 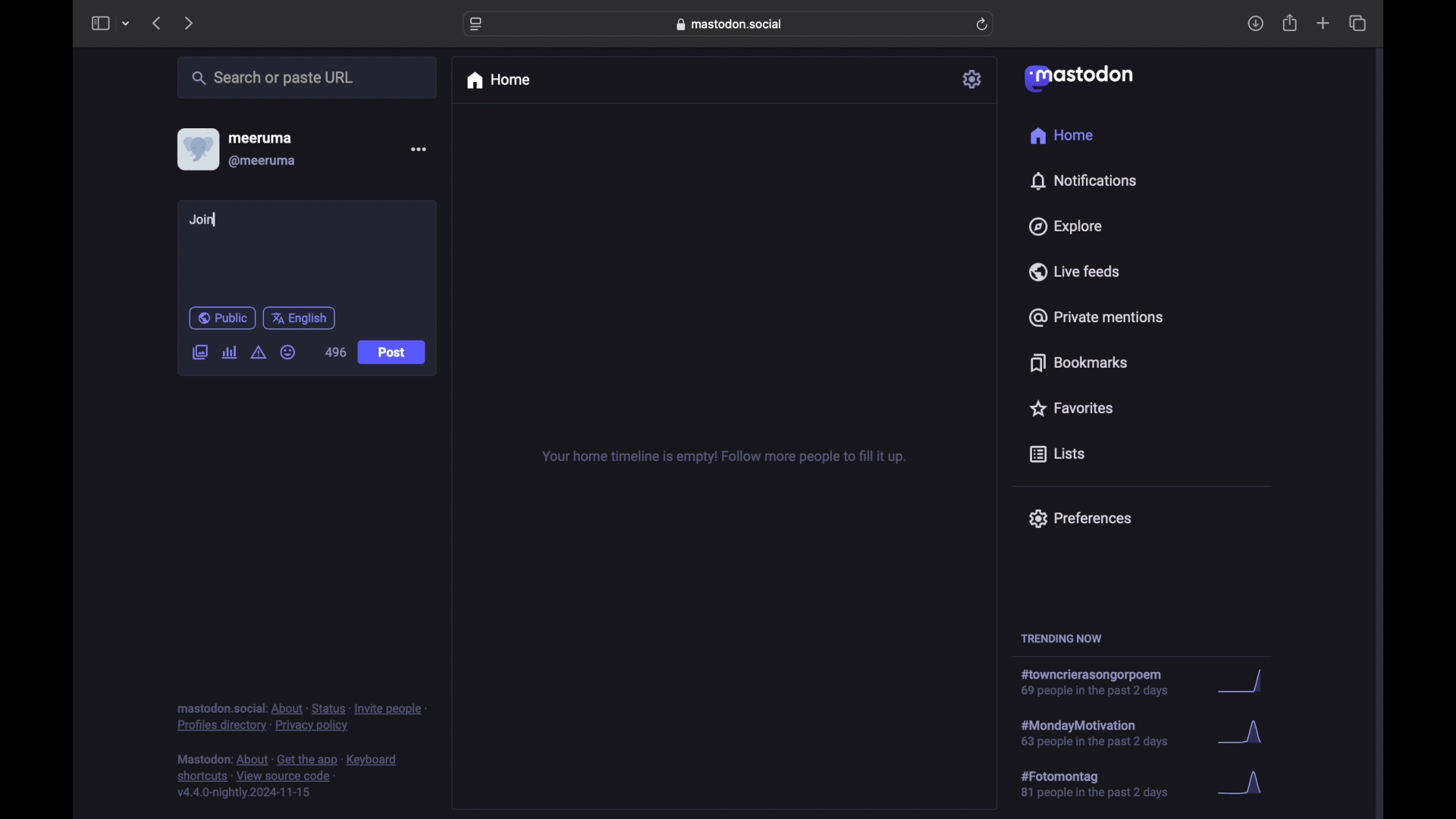 What do you see at coordinates (1077, 77) in the screenshot?
I see `mastodon` at bounding box center [1077, 77].